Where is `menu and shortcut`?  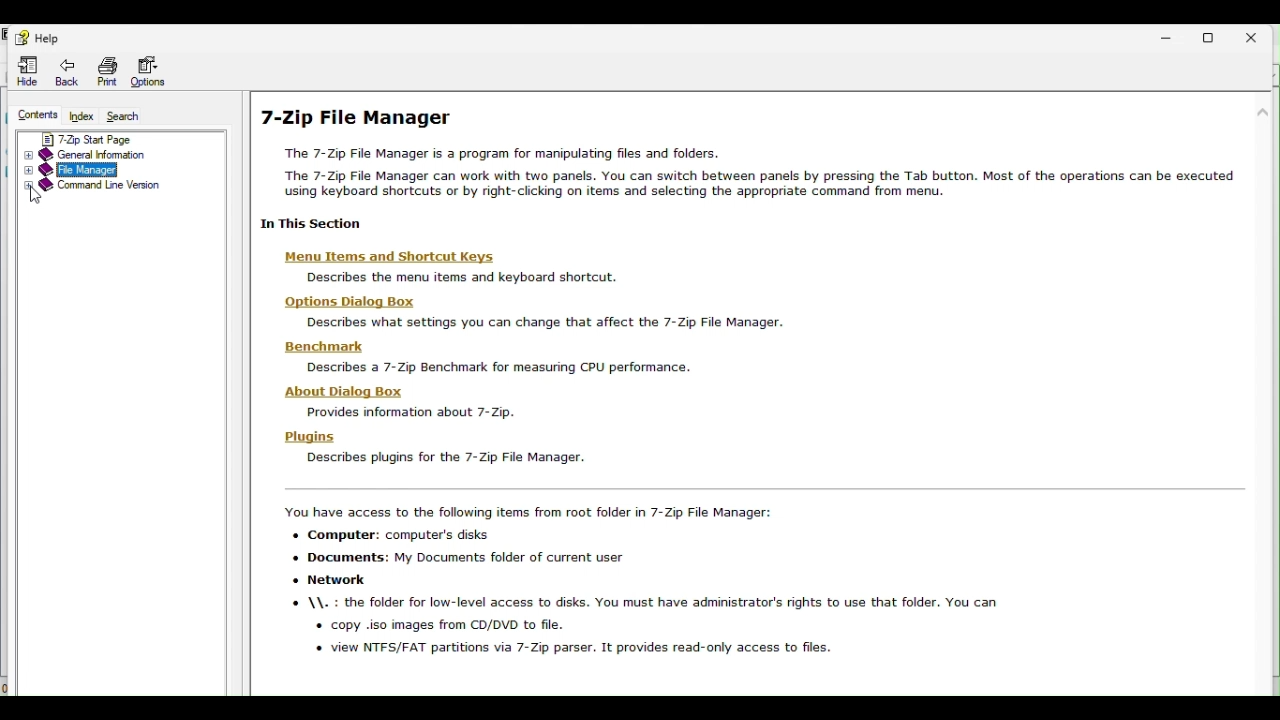 menu and shortcut is located at coordinates (407, 257).